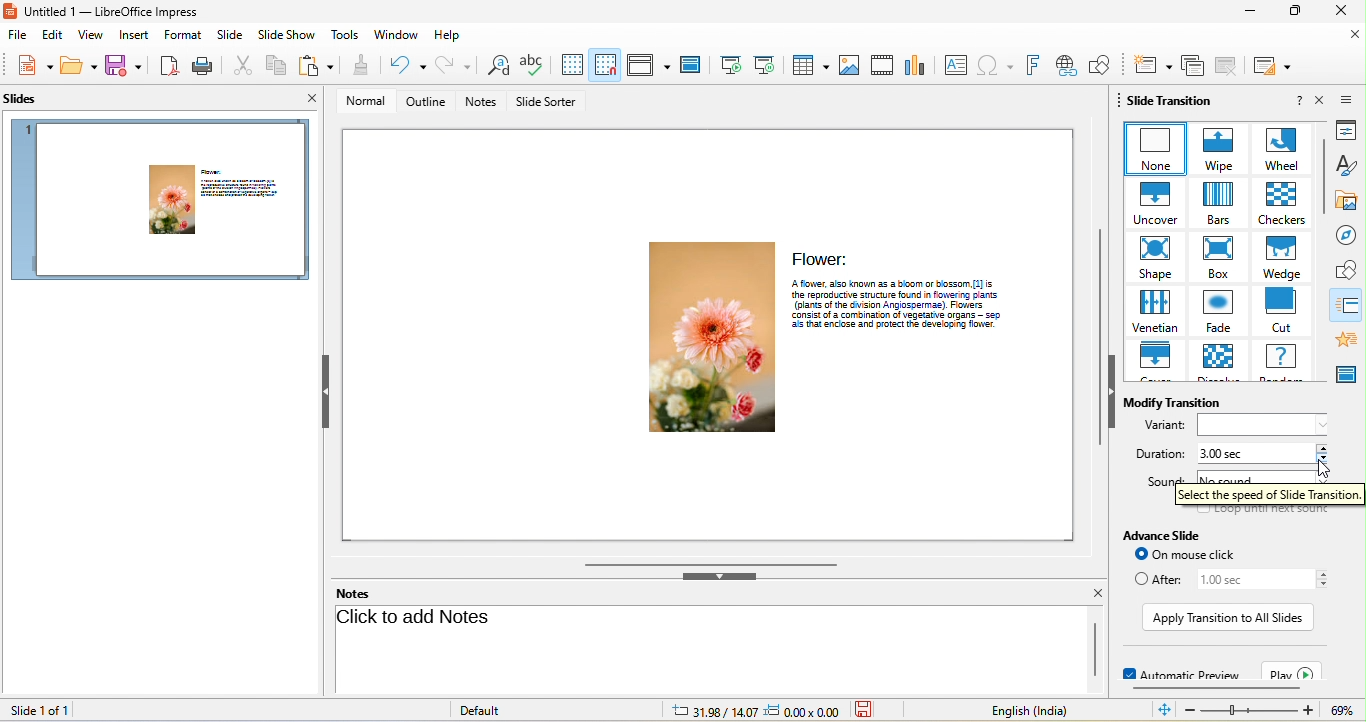 The width and height of the screenshot is (1366, 722). Describe the element at coordinates (1170, 535) in the screenshot. I see `advance slide` at that location.